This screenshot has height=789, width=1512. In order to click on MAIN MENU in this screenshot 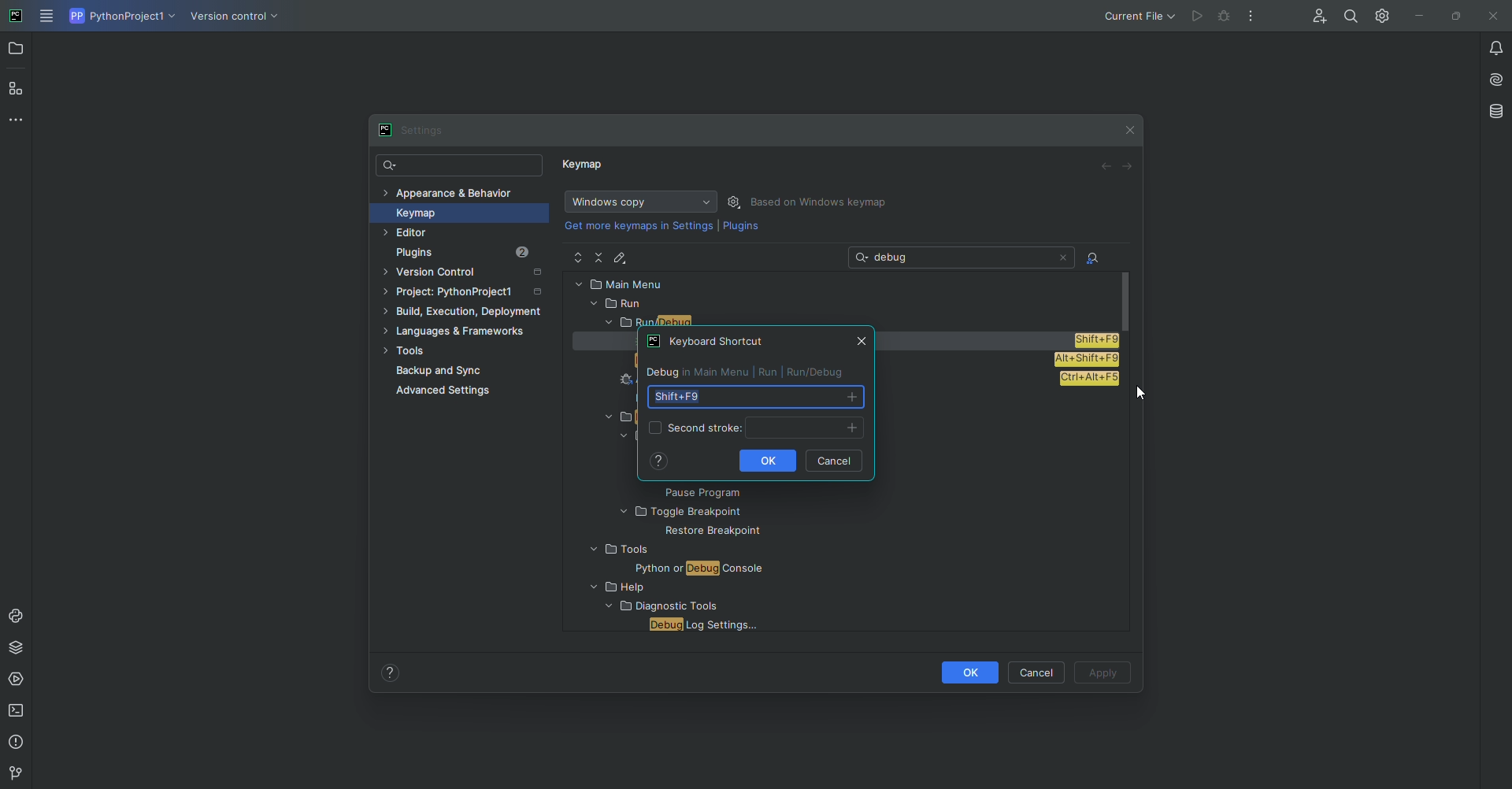, I will do `click(843, 283)`.